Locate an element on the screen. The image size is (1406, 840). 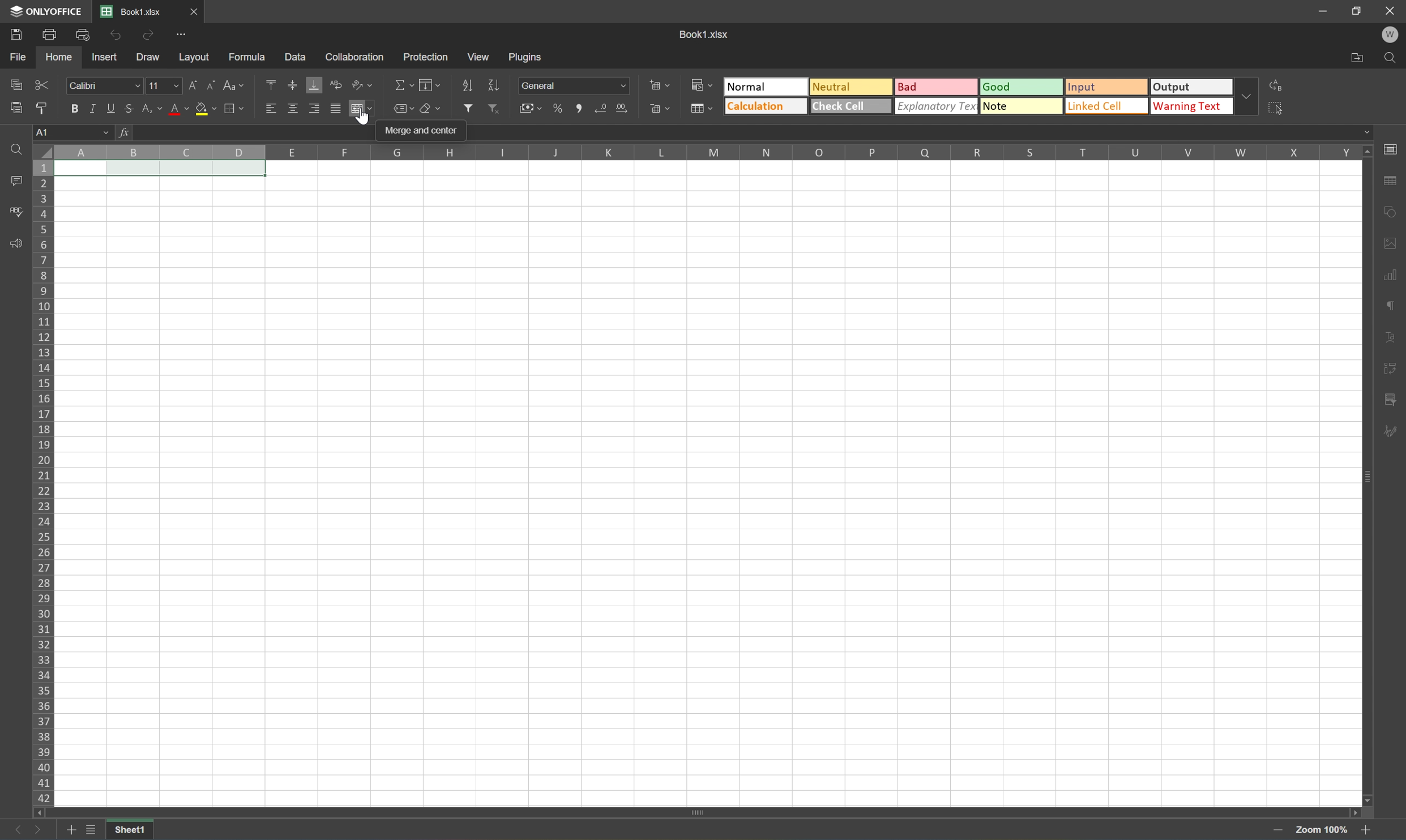
fx is located at coordinates (127, 134).